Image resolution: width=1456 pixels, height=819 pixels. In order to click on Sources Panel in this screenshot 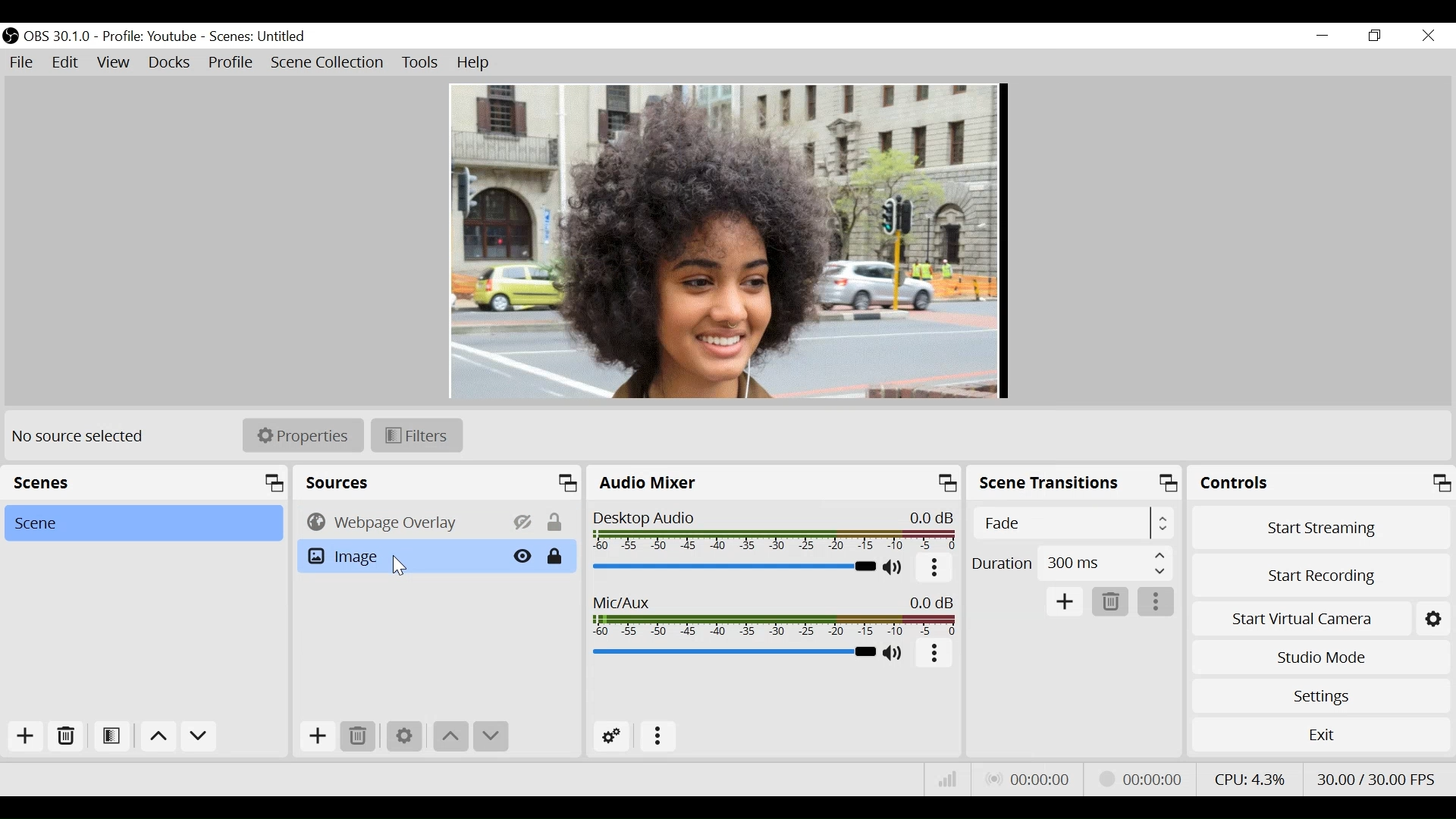, I will do `click(438, 482)`.